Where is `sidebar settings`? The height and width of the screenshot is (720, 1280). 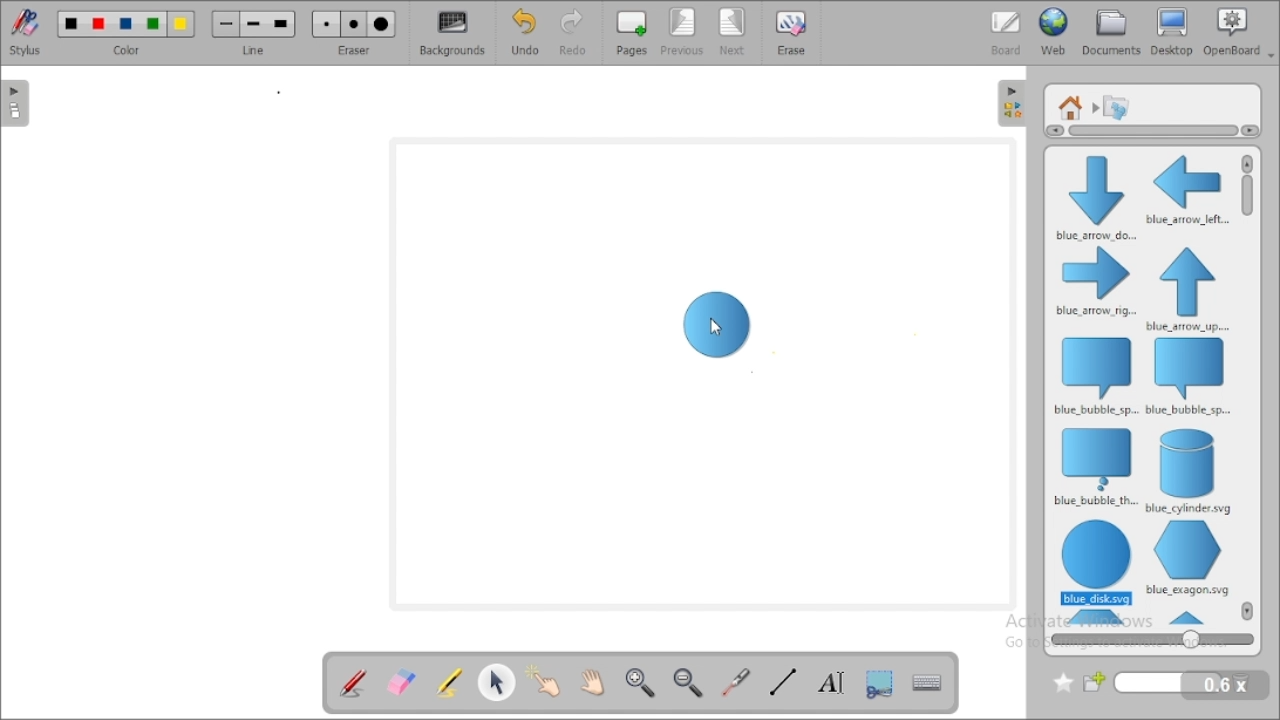
sidebar settings is located at coordinates (1012, 104).